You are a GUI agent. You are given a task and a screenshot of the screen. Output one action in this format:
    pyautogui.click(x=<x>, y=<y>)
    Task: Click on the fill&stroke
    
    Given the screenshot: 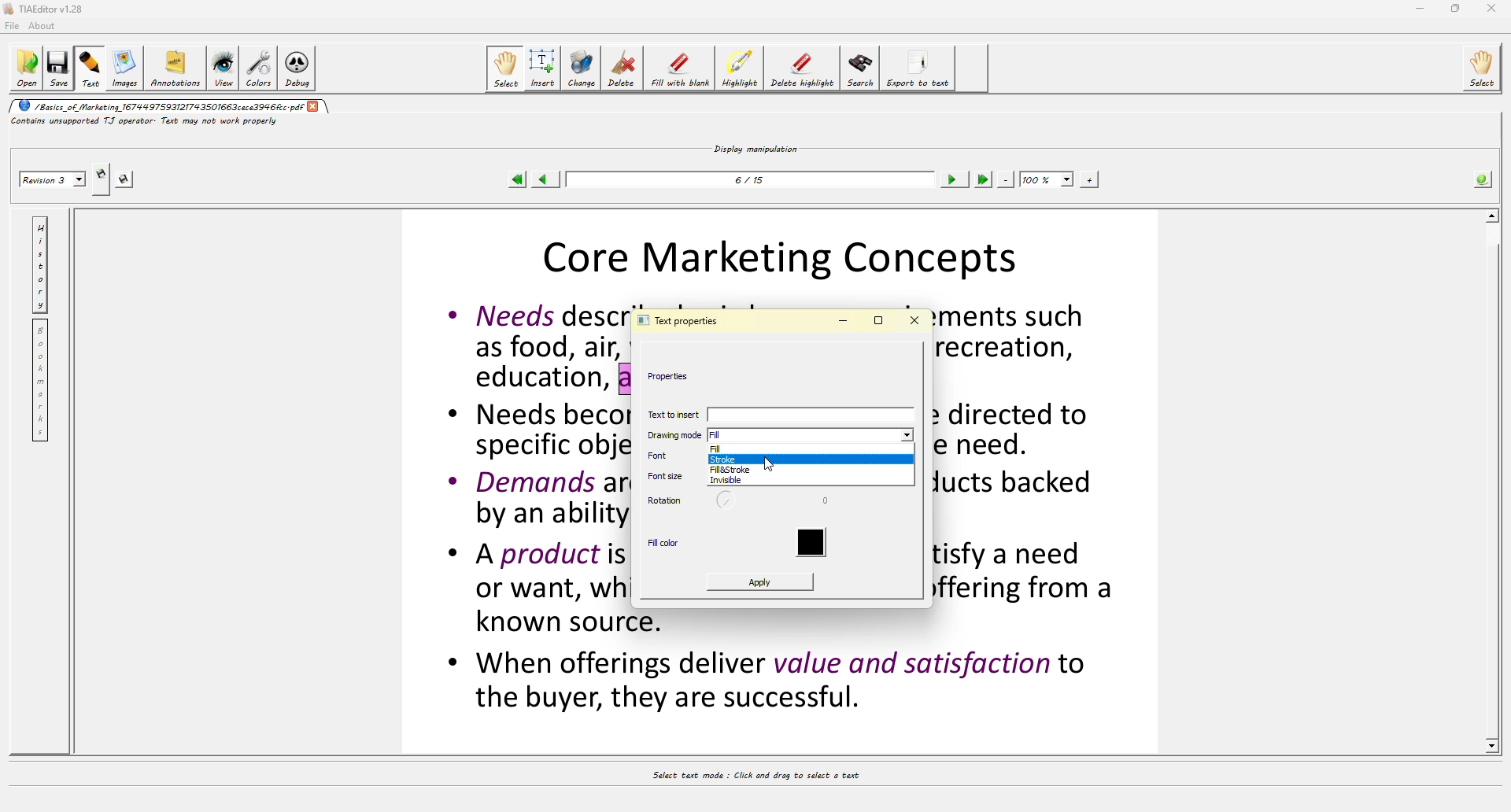 What is the action you would take?
    pyautogui.click(x=729, y=471)
    